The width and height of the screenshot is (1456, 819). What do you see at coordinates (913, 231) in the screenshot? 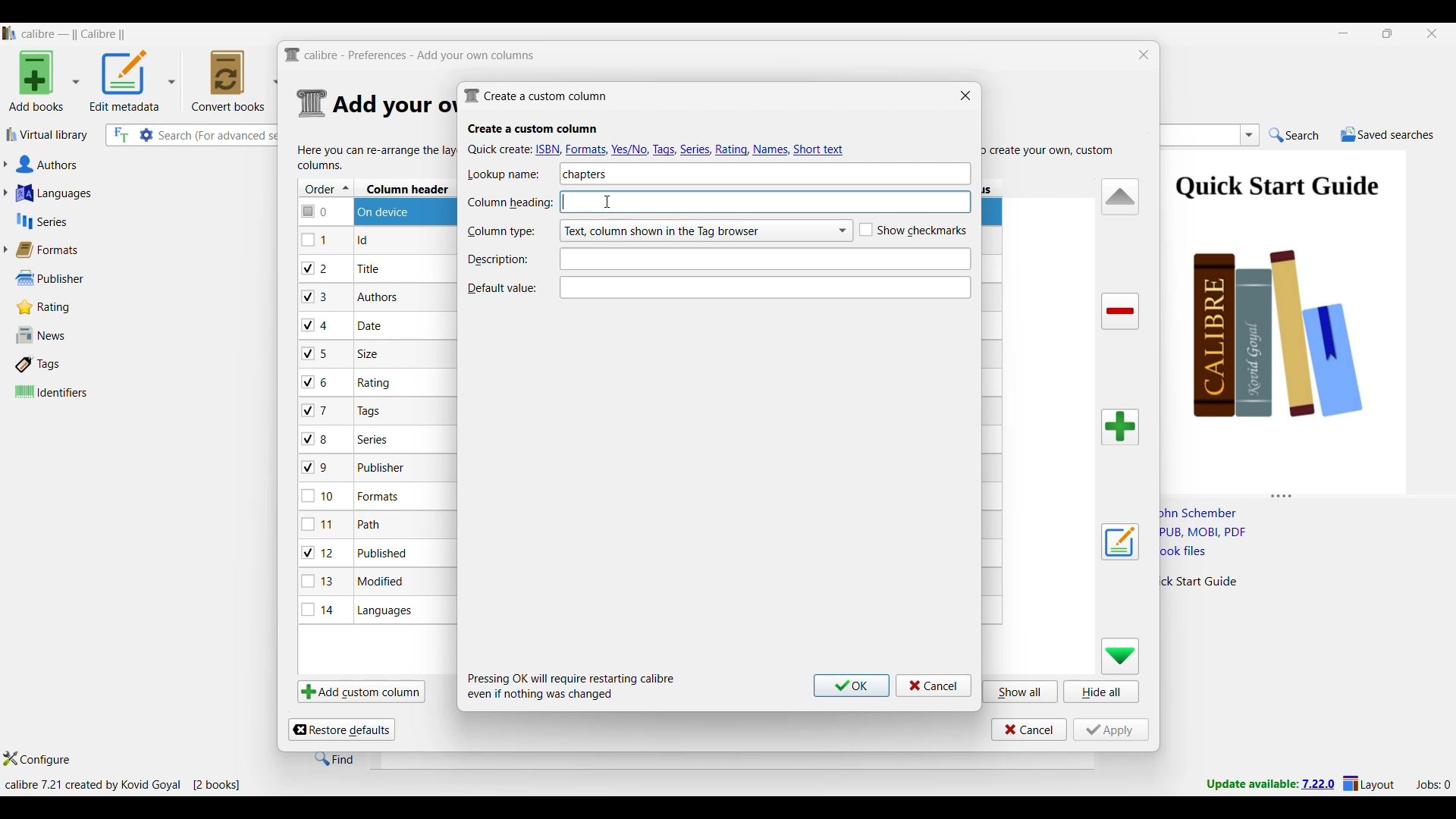
I see `Toggle for Show checkmarks` at bounding box center [913, 231].